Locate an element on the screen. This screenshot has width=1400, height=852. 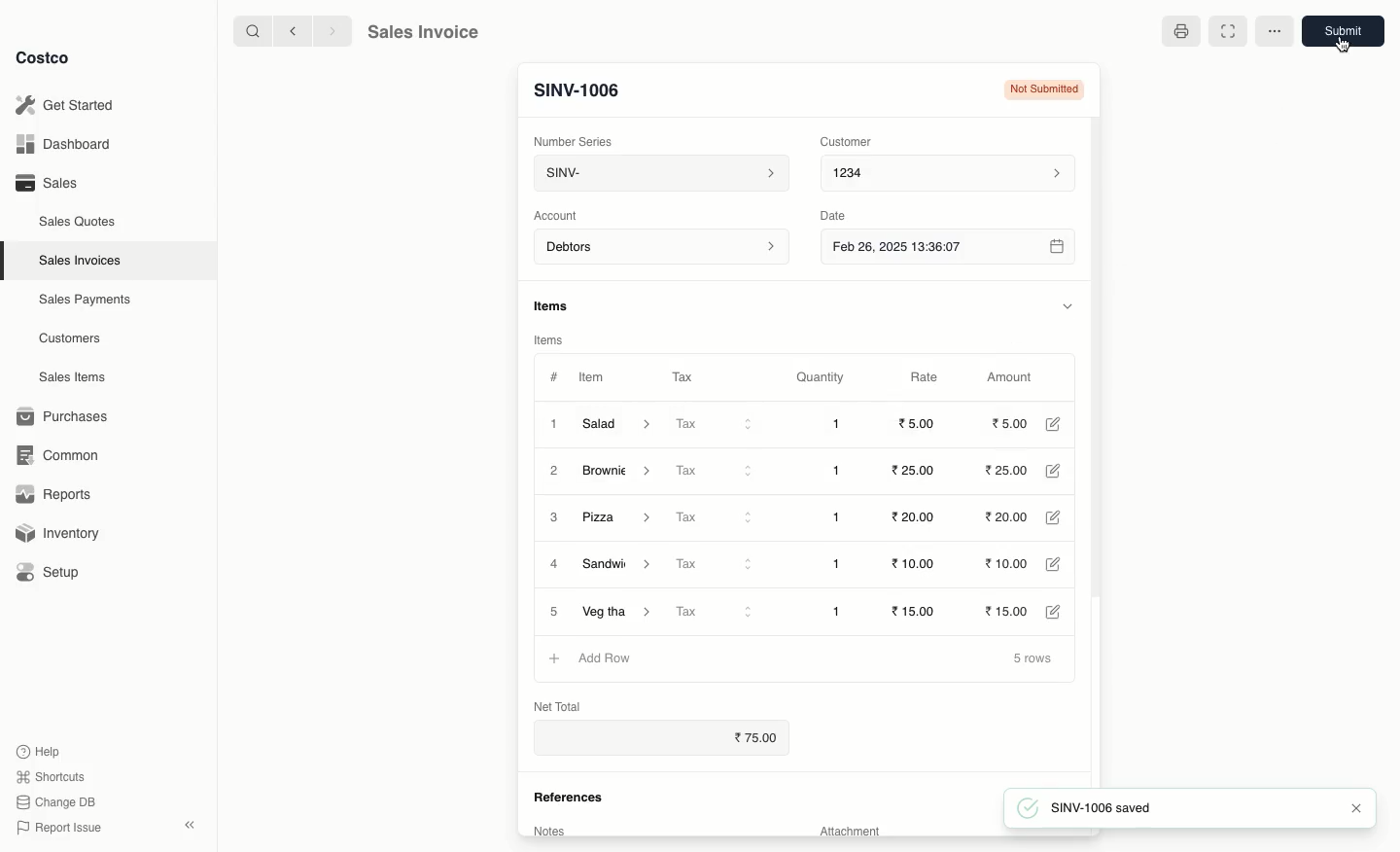
75.00 is located at coordinates (756, 735).